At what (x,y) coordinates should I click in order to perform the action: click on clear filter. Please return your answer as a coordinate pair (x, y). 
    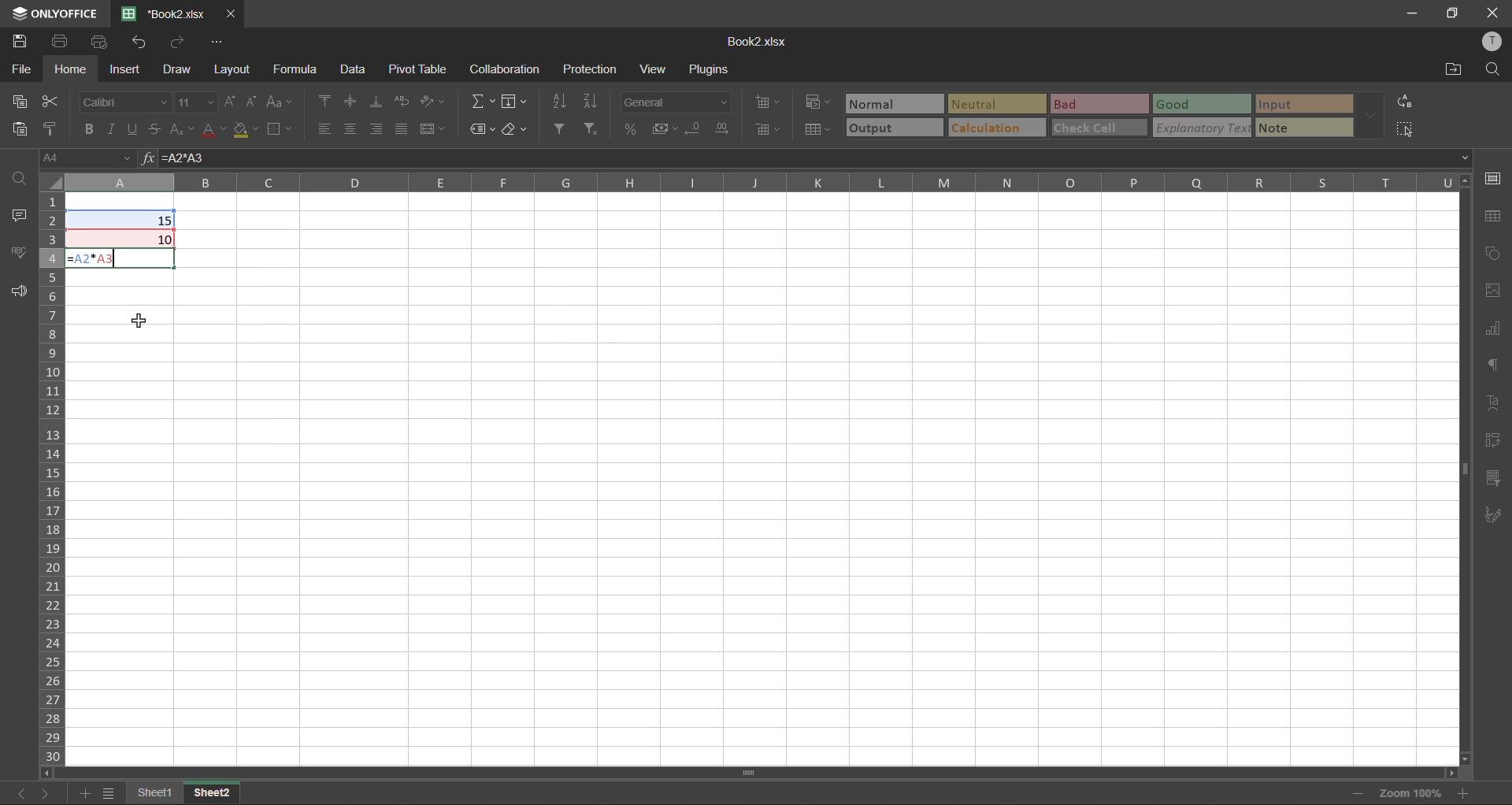
    Looking at the image, I should click on (592, 131).